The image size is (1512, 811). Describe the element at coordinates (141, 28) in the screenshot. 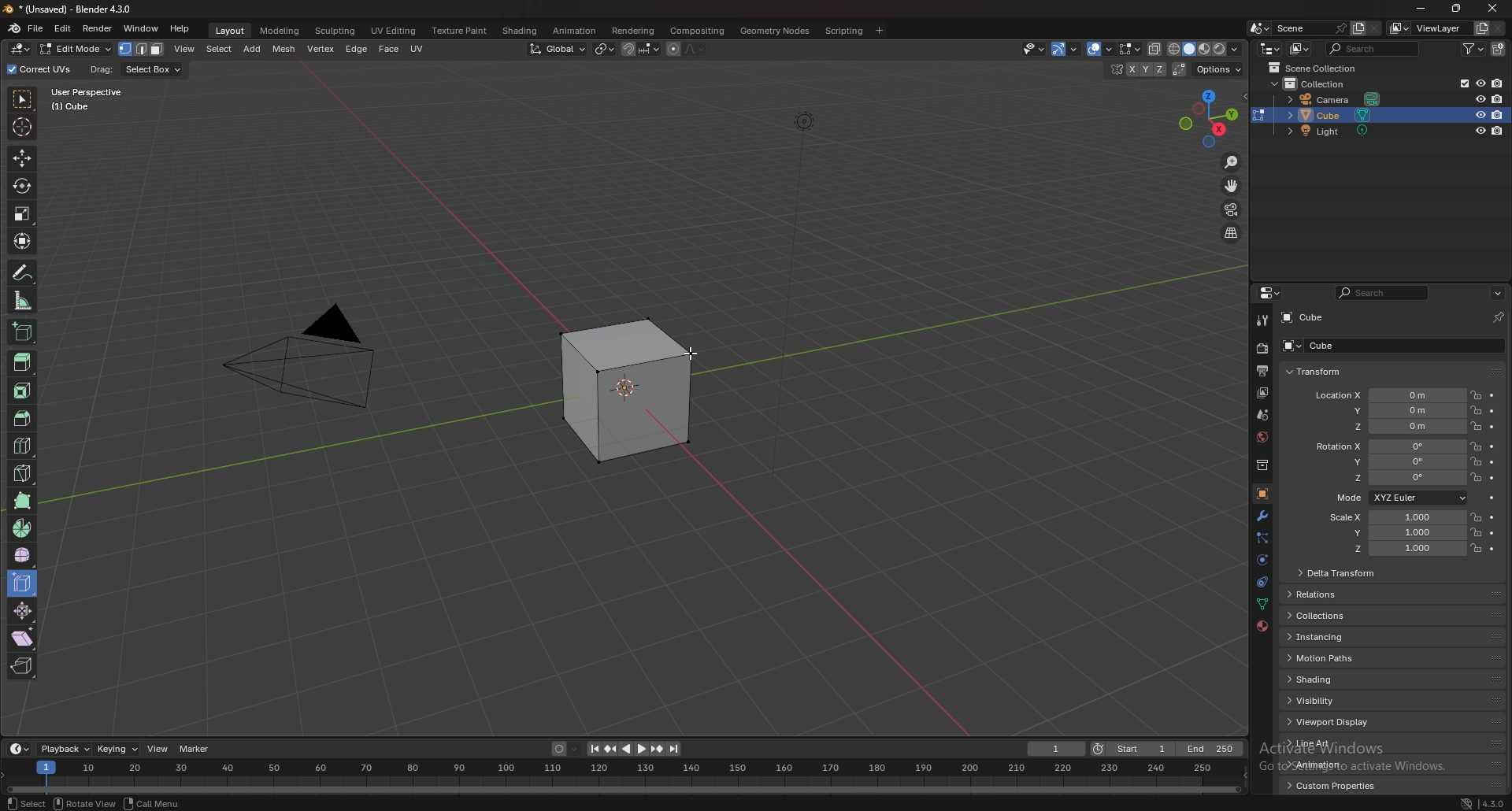

I see `window` at that location.